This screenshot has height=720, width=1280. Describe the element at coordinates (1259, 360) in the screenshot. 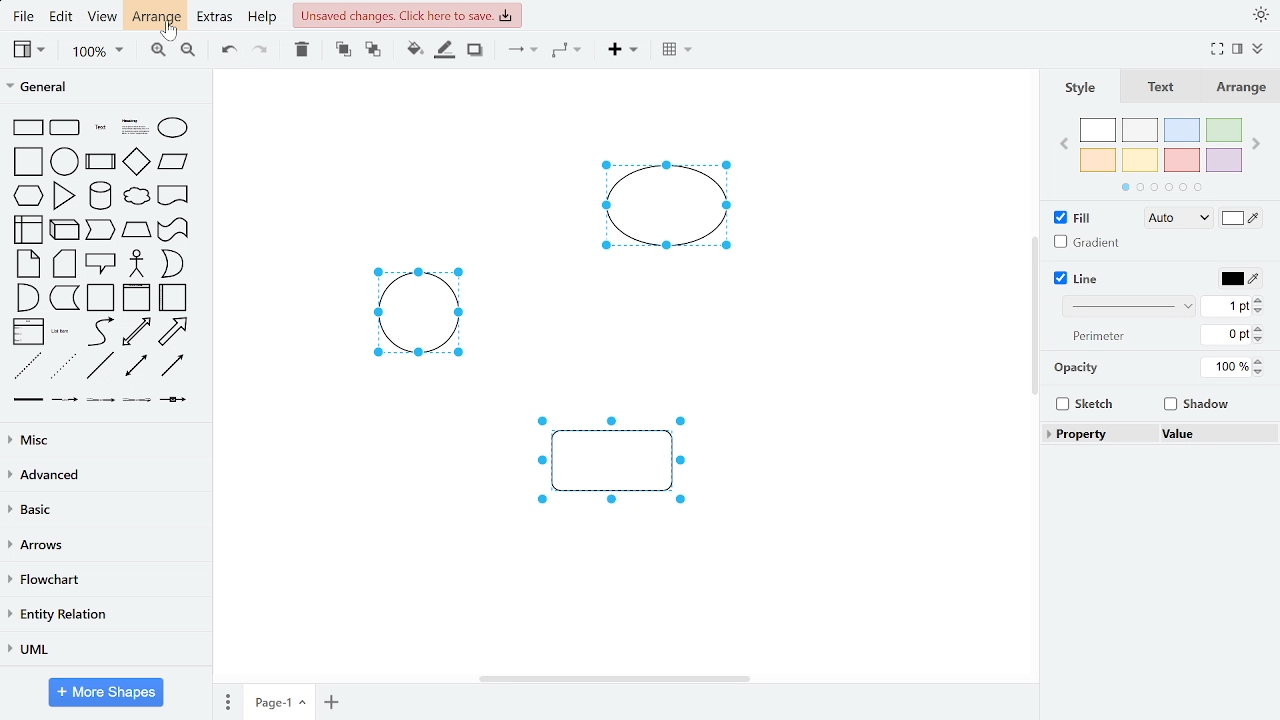

I see `increase opacity` at that location.